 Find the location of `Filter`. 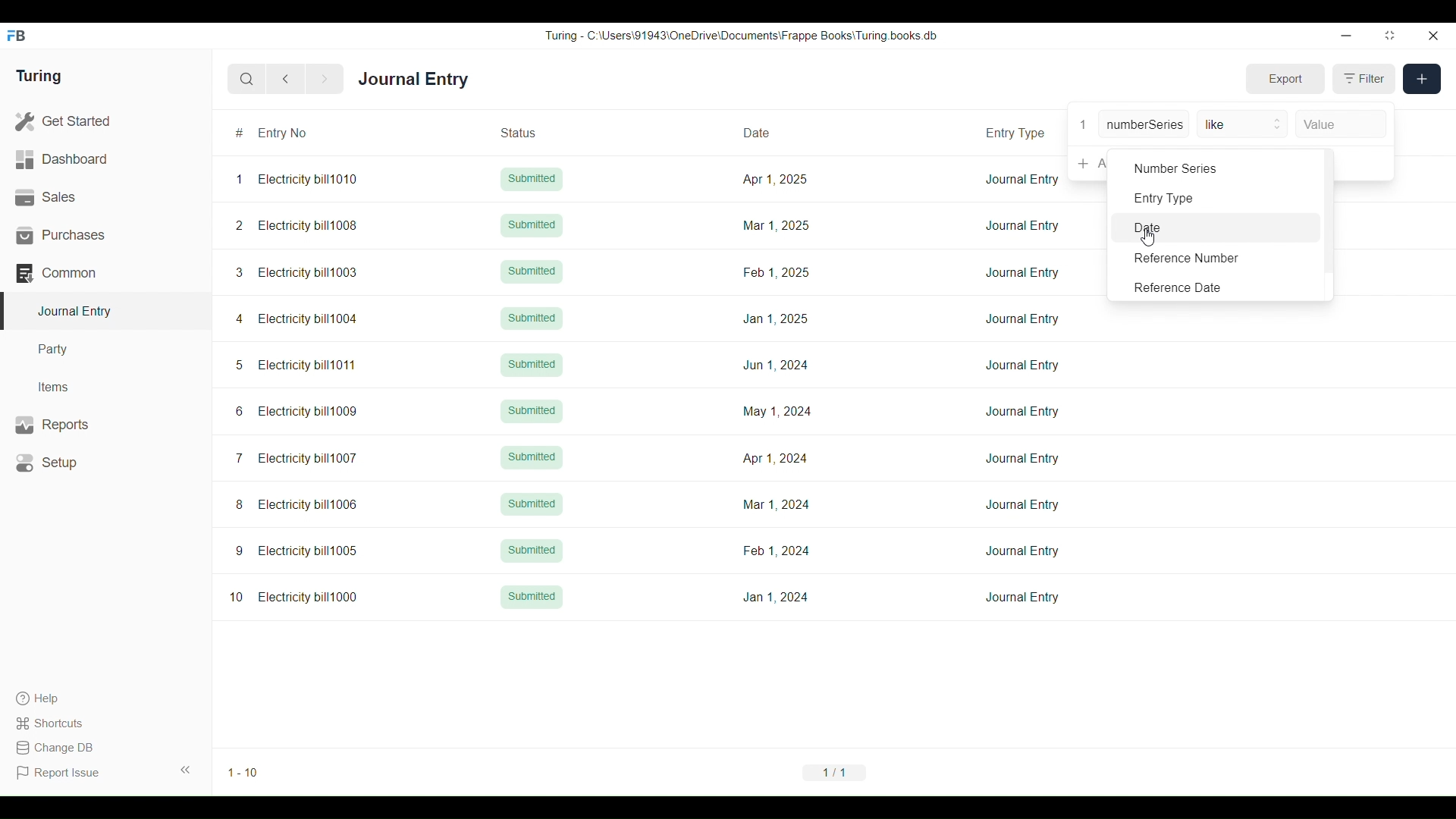

Filter is located at coordinates (1364, 79).